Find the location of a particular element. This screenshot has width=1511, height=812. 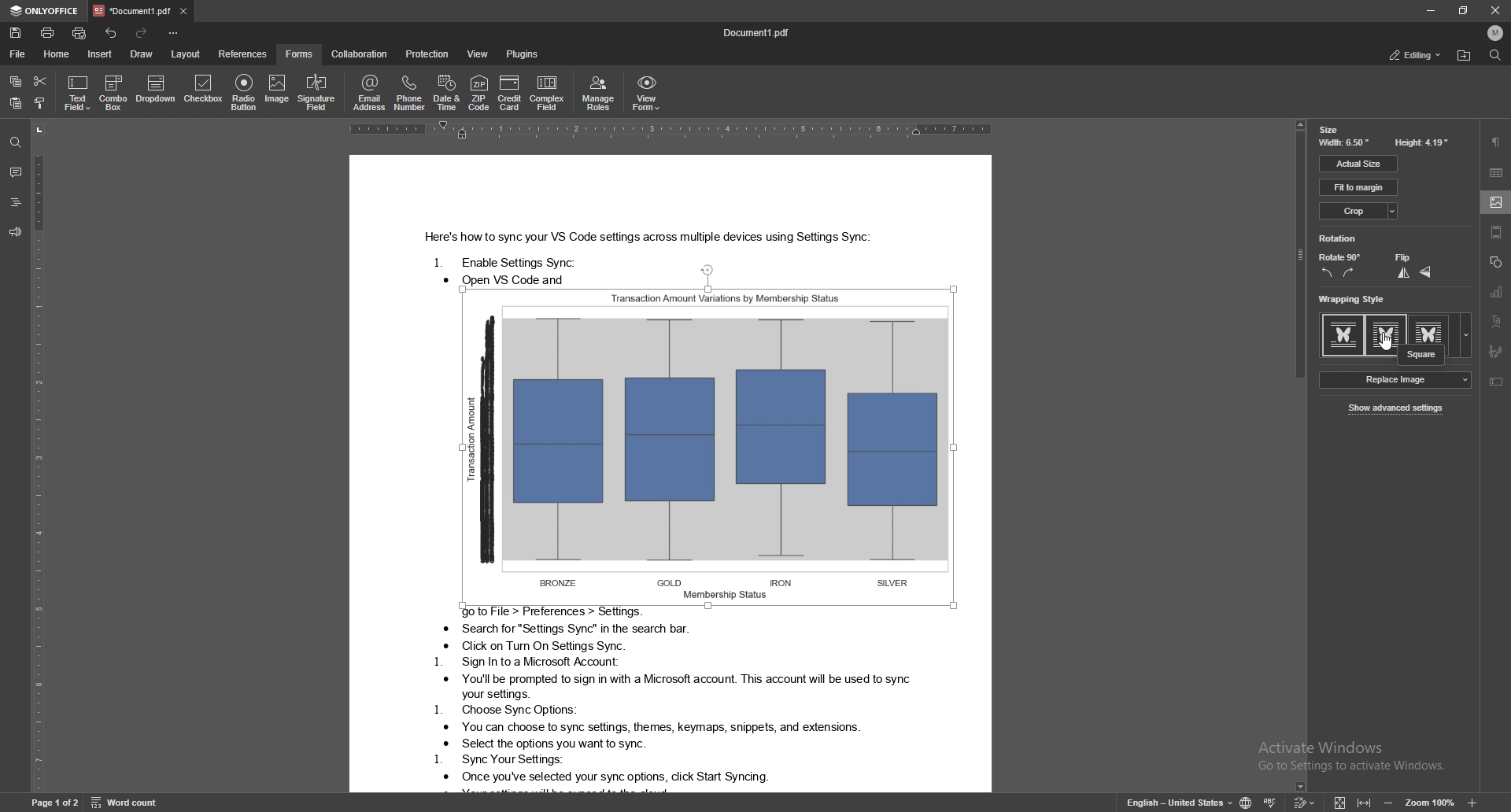

signature field is located at coordinates (316, 94).